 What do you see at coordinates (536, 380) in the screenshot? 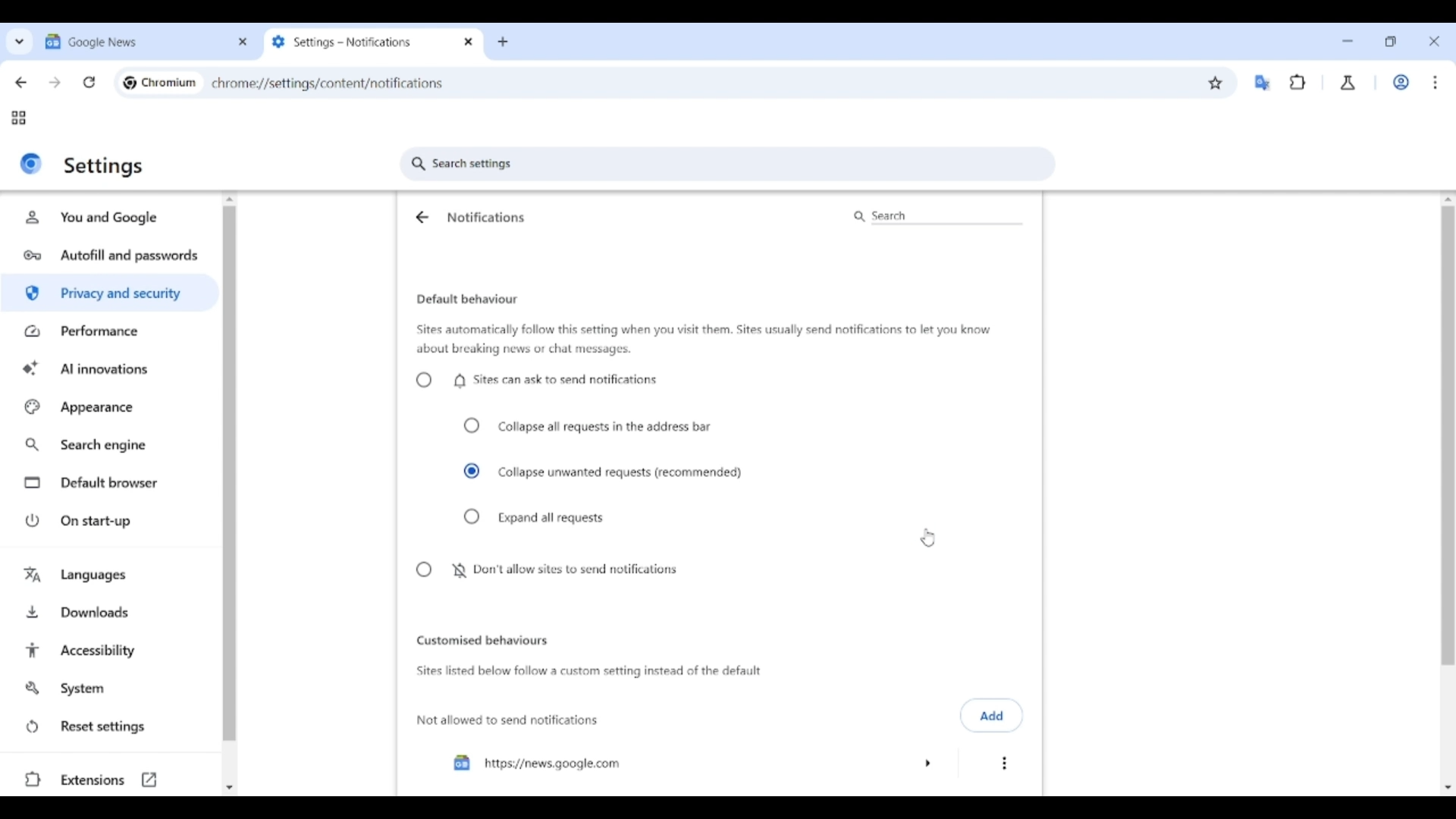
I see `Sites can ask to send notifications` at bounding box center [536, 380].